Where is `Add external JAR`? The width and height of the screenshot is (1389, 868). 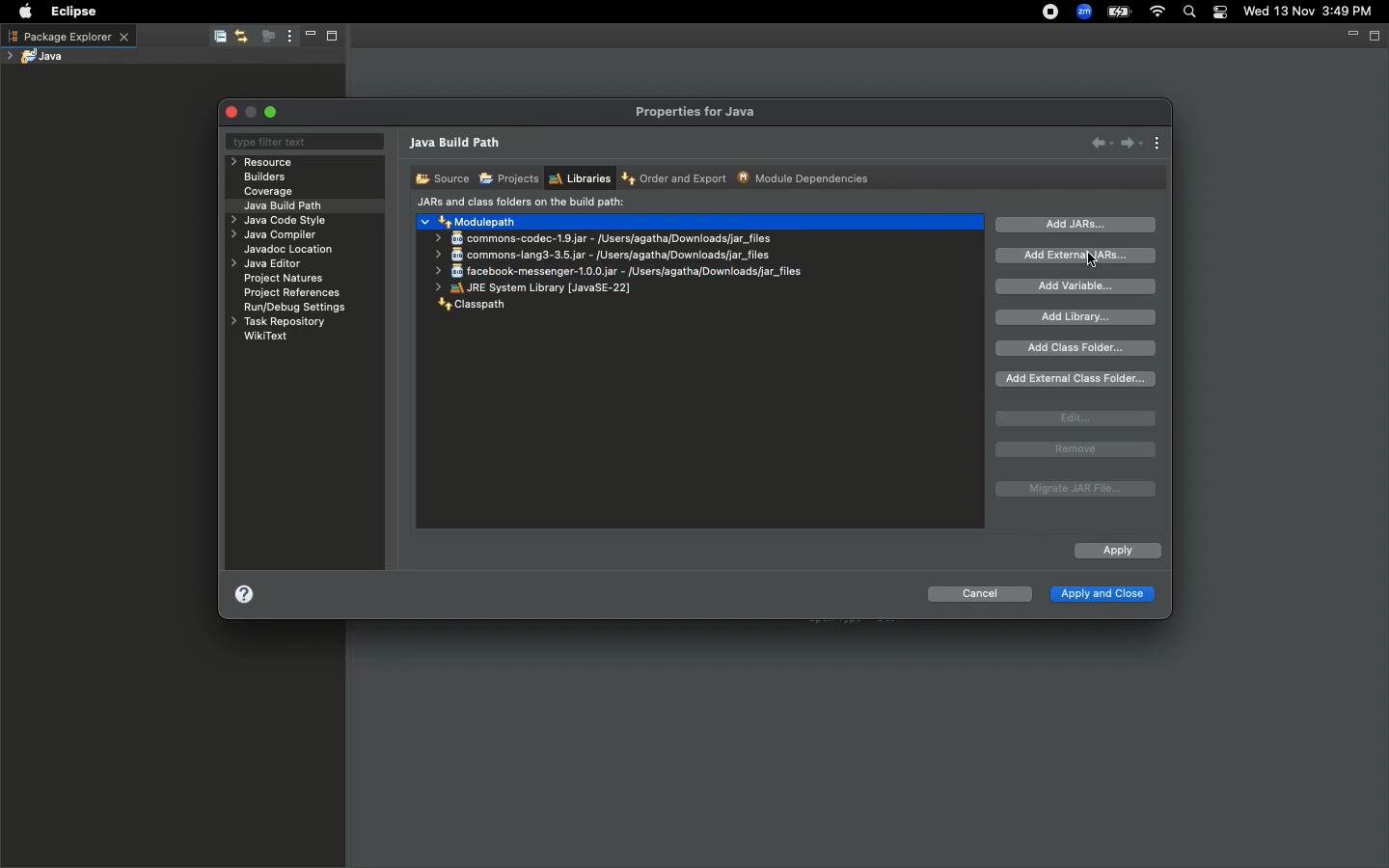 Add external JAR is located at coordinates (1076, 255).